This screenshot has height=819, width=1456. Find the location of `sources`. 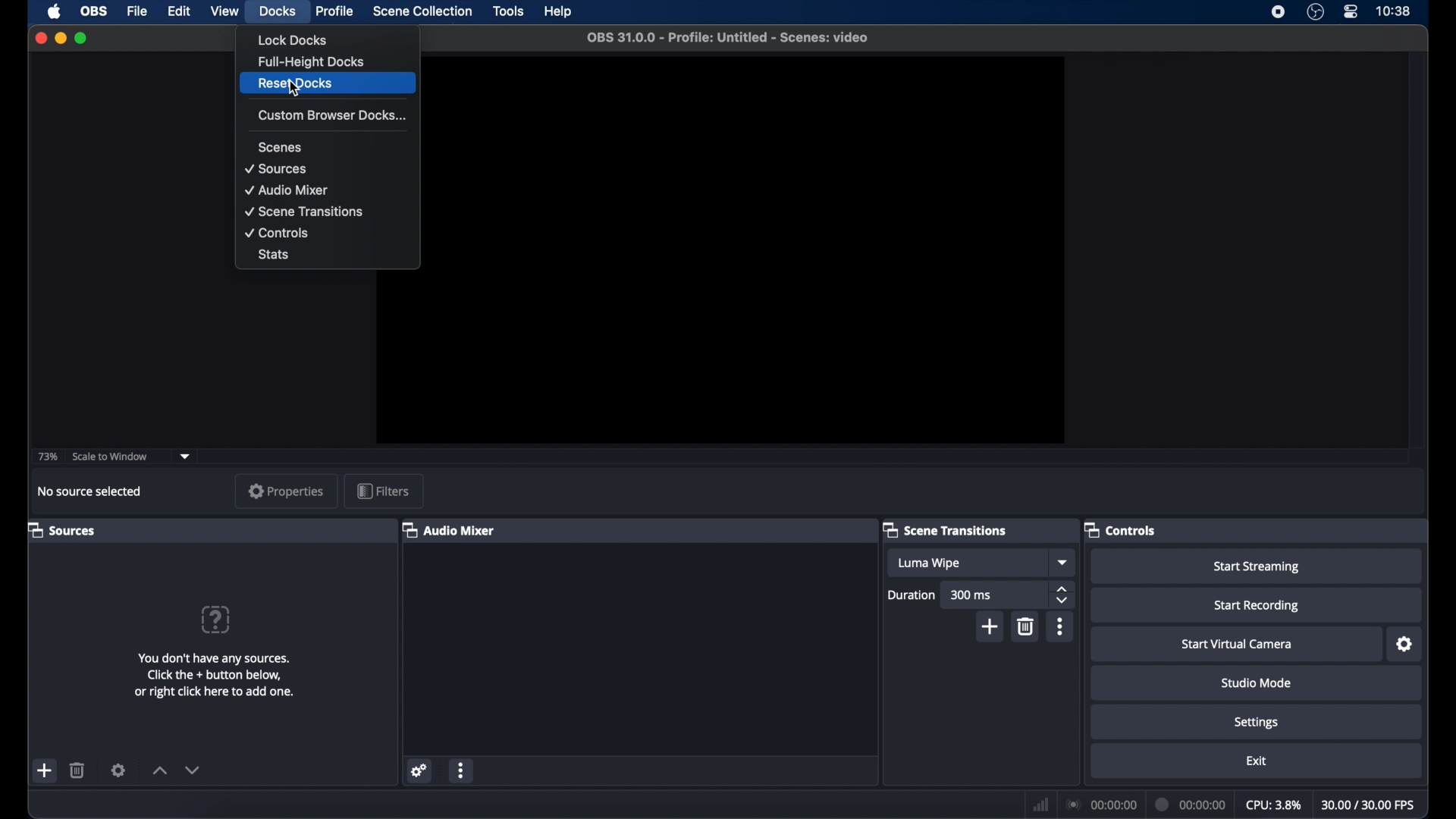

sources is located at coordinates (63, 529).